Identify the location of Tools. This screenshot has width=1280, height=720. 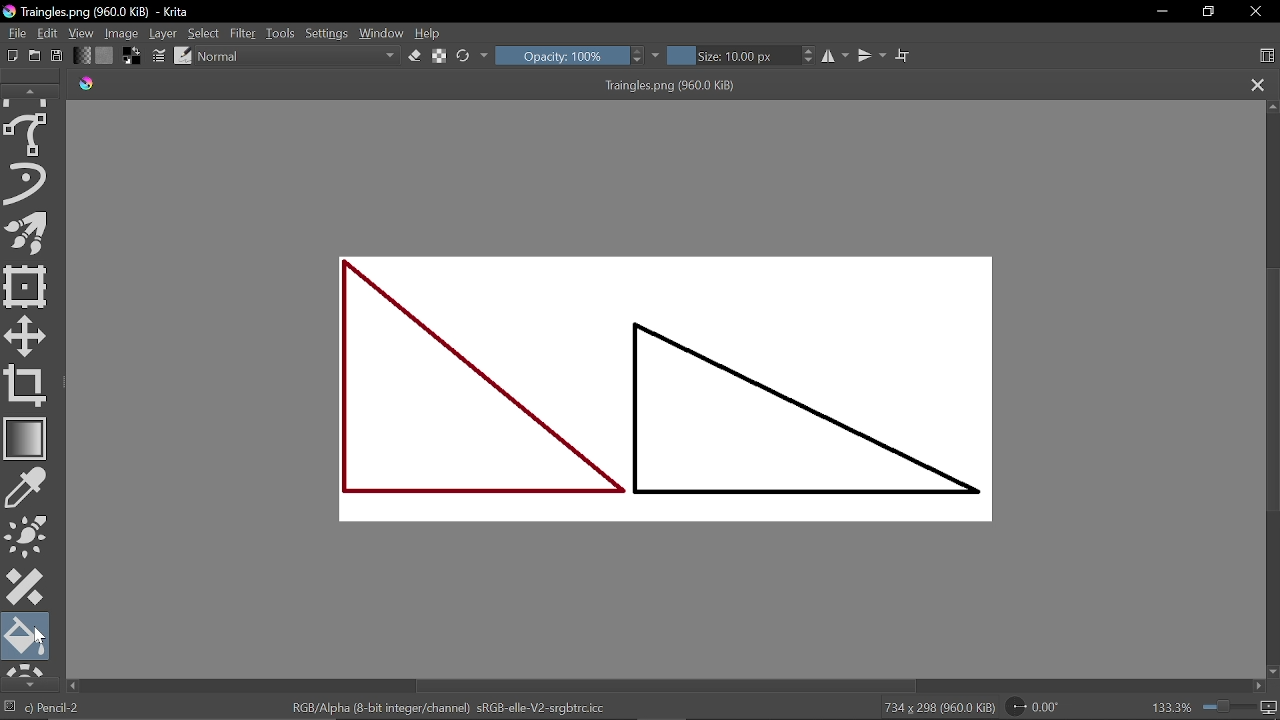
(282, 34).